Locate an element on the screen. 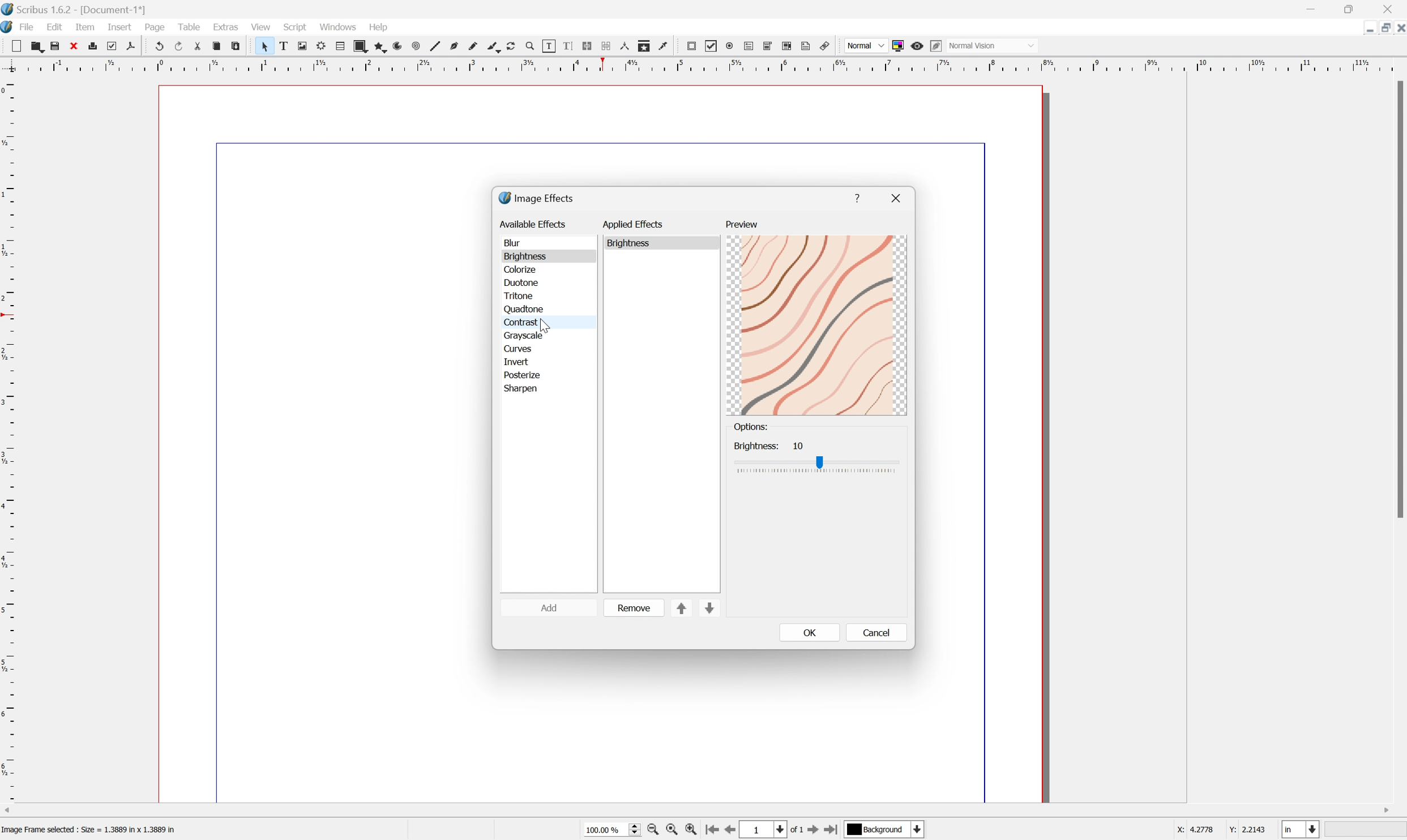  posterize is located at coordinates (521, 373).